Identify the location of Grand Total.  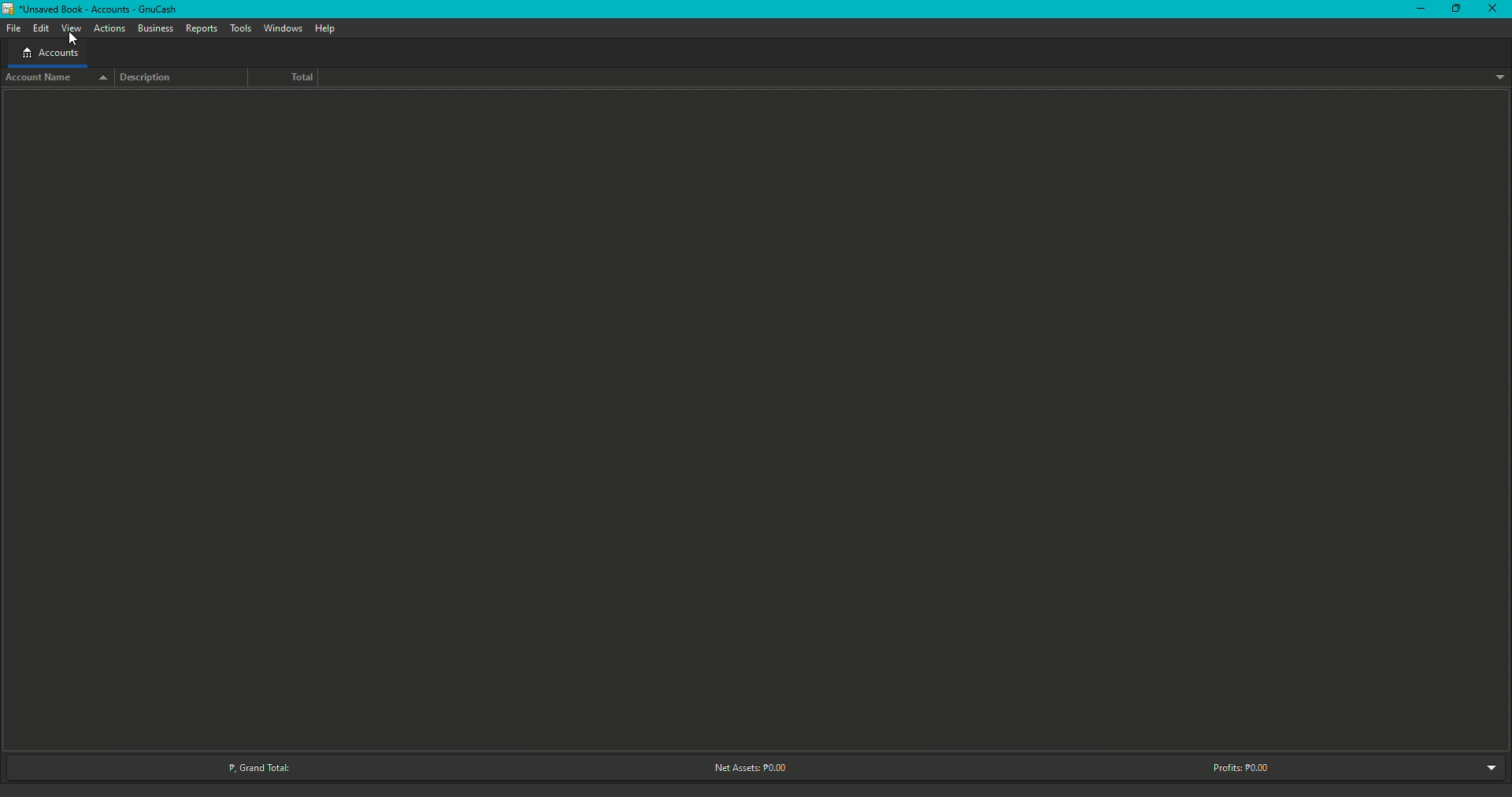
(254, 768).